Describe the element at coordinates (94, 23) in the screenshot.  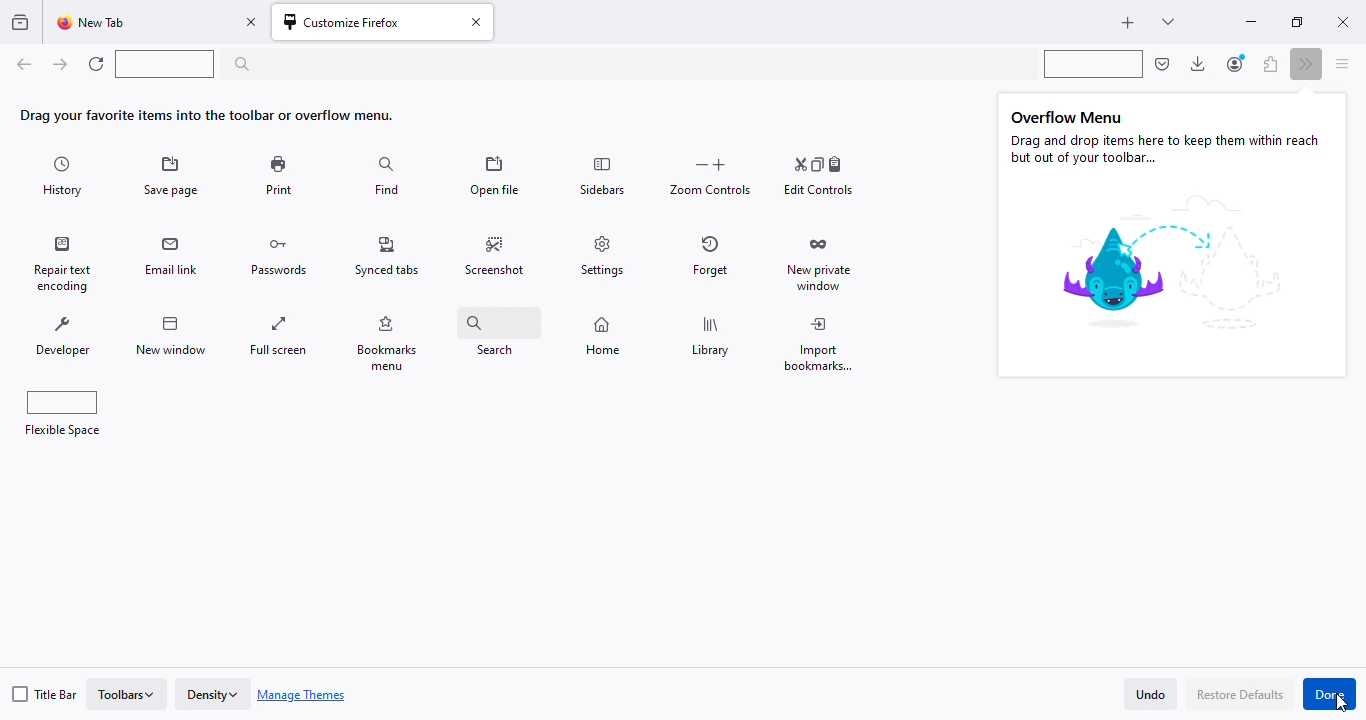
I see `new tab` at that location.